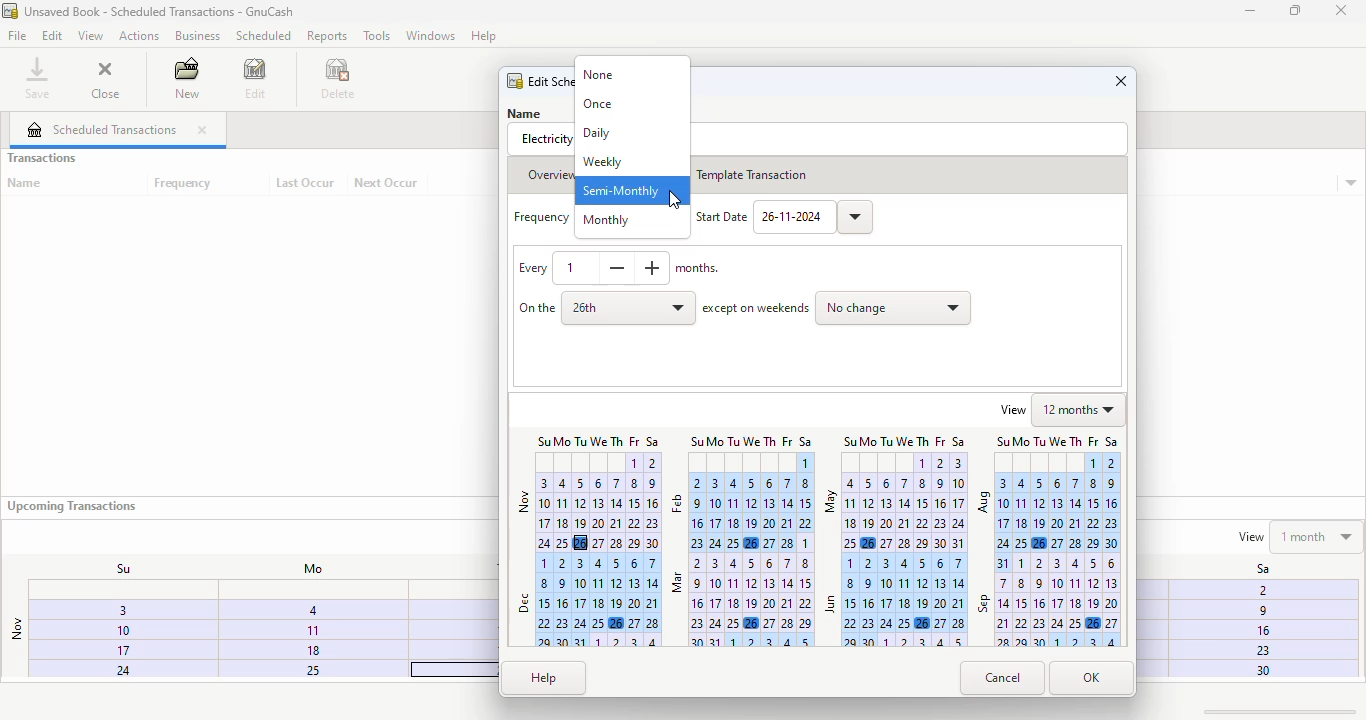  Describe the element at coordinates (90, 37) in the screenshot. I see `view` at that location.